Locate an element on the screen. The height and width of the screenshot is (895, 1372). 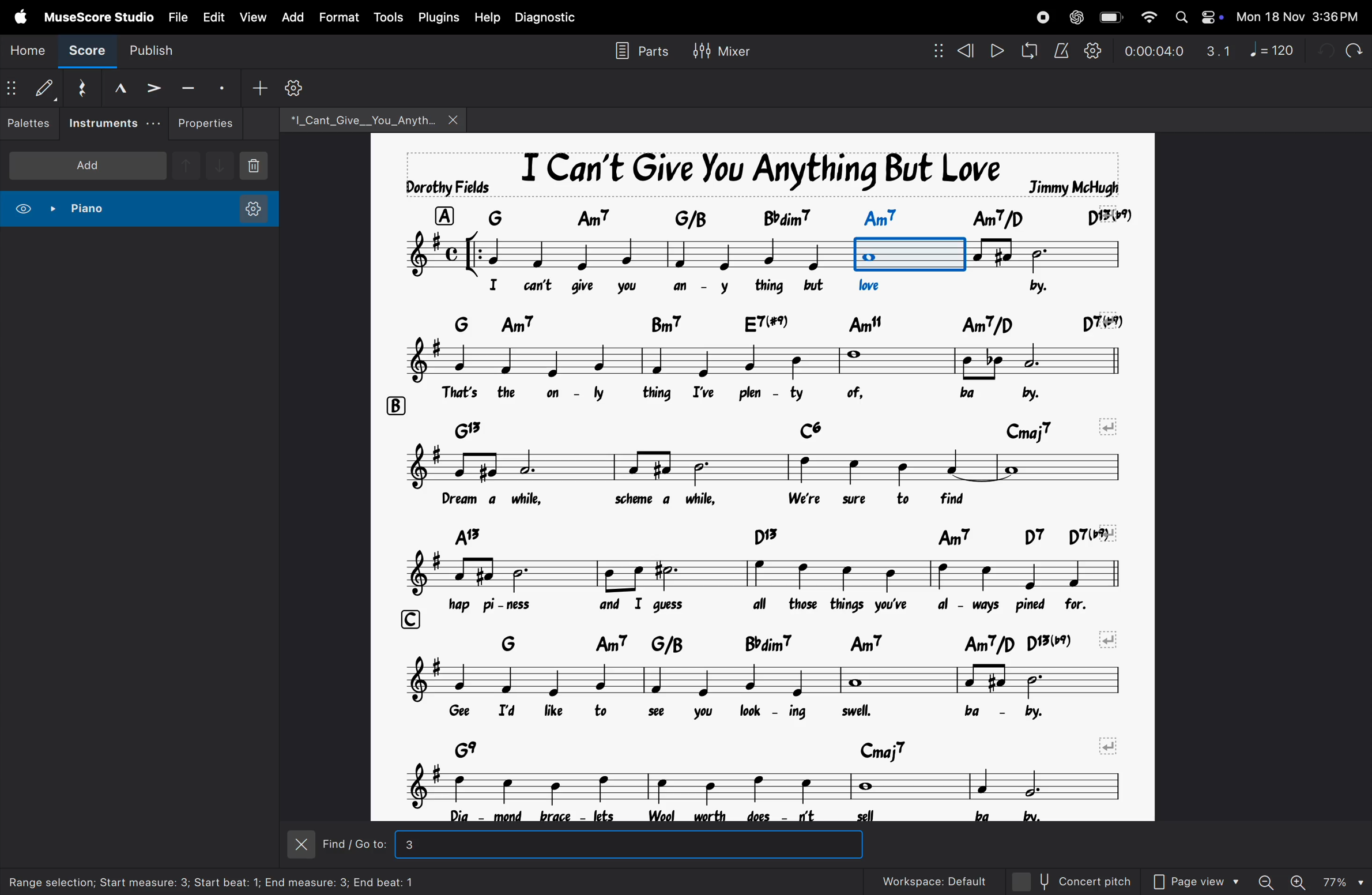
page view is located at coordinates (1195, 881).